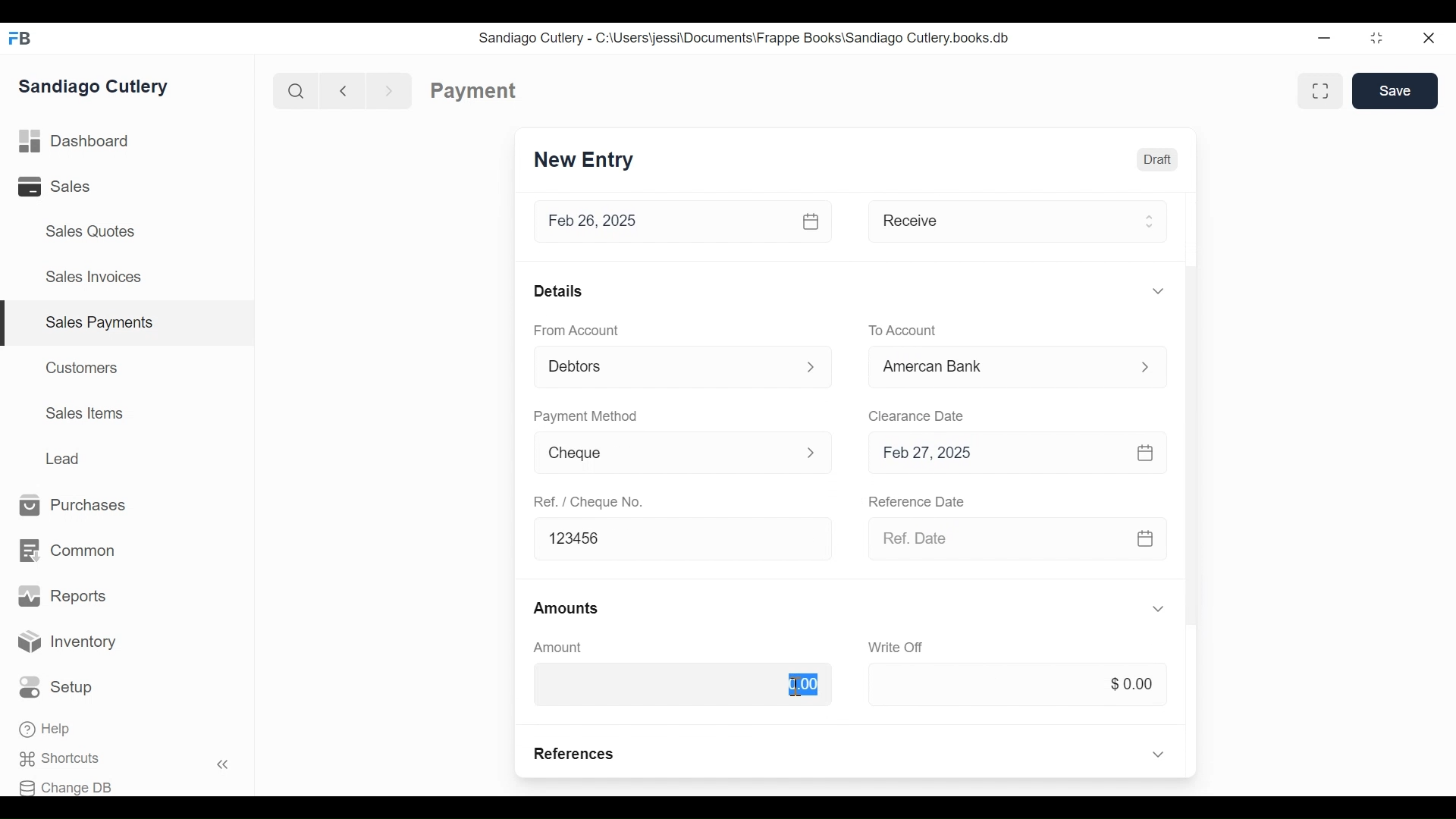  What do you see at coordinates (47, 730) in the screenshot?
I see `Help` at bounding box center [47, 730].